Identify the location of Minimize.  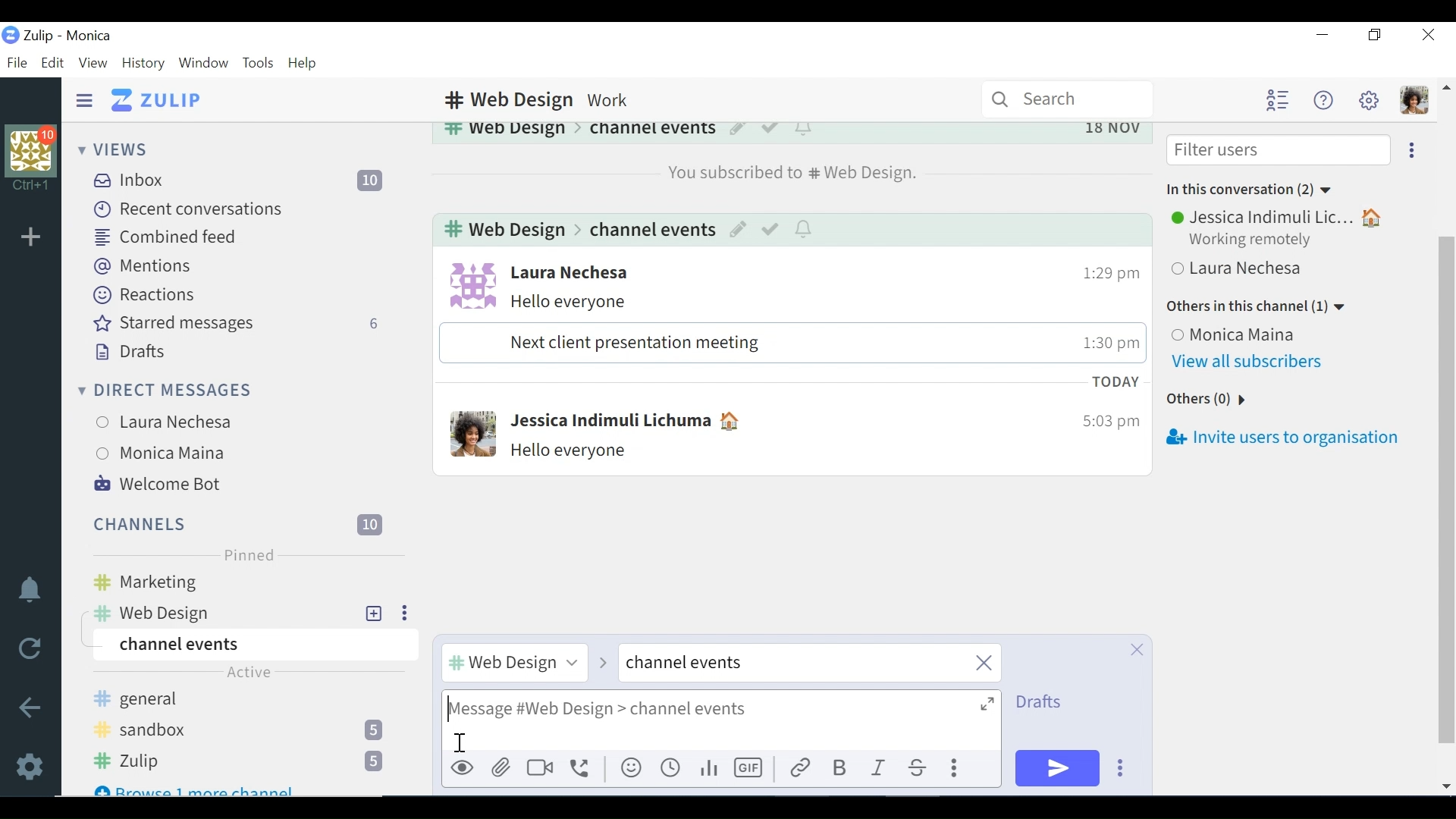
(1322, 36).